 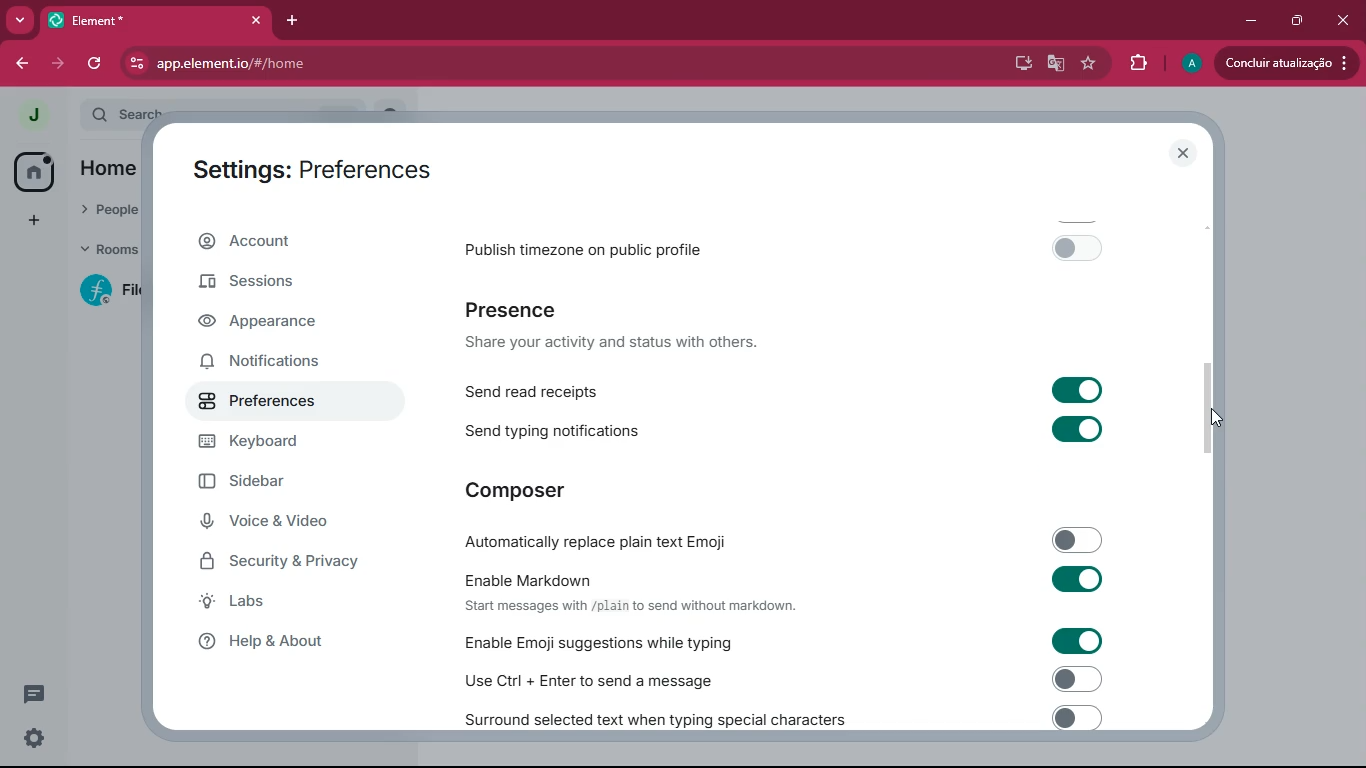 What do you see at coordinates (30, 694) in the screenshot?
I see `comments` at bounding box center [30, 694].